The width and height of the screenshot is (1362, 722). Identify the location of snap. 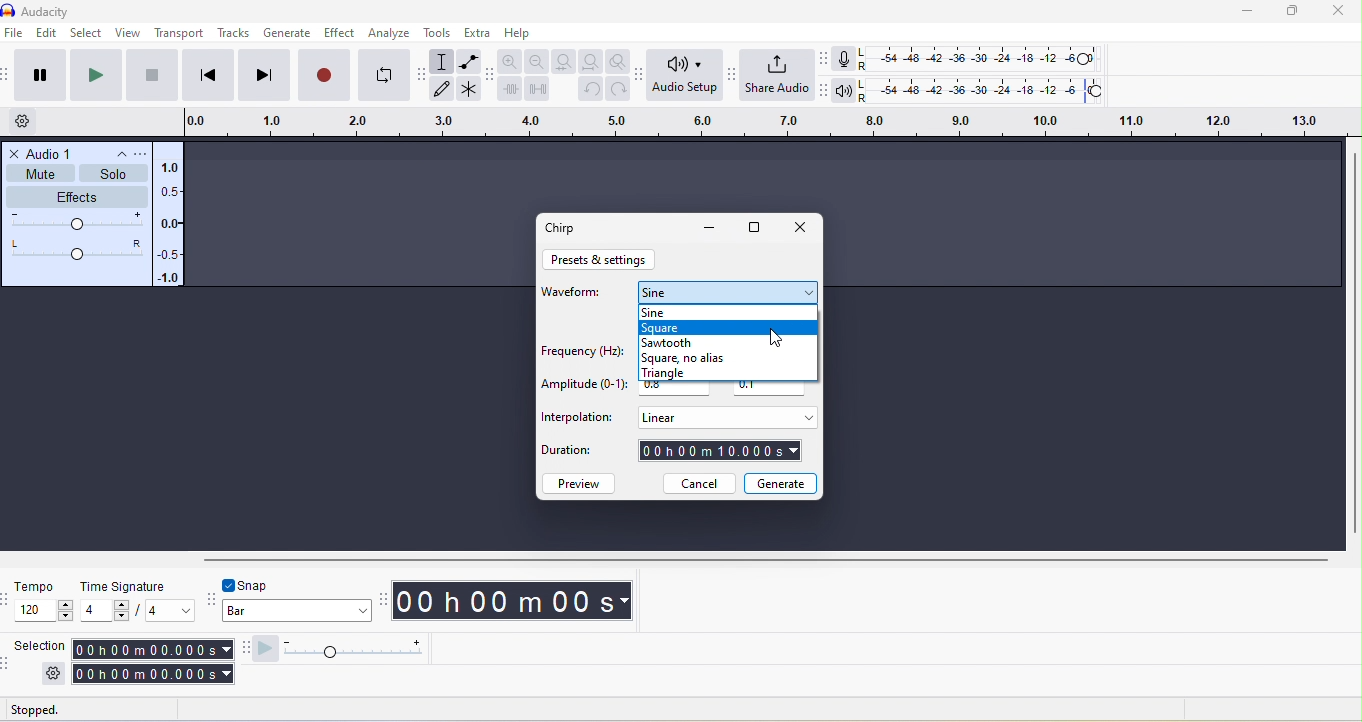
(264, 584).